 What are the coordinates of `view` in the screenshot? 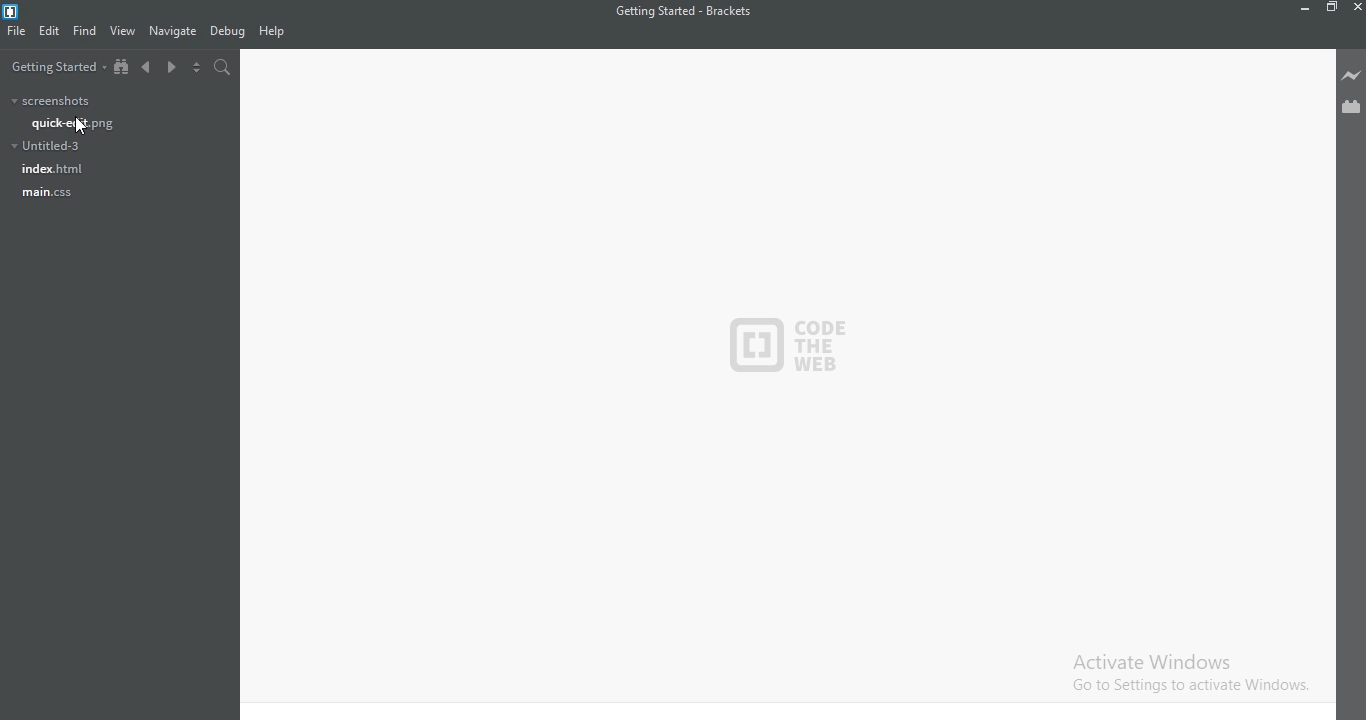 It's located at (121, 32).